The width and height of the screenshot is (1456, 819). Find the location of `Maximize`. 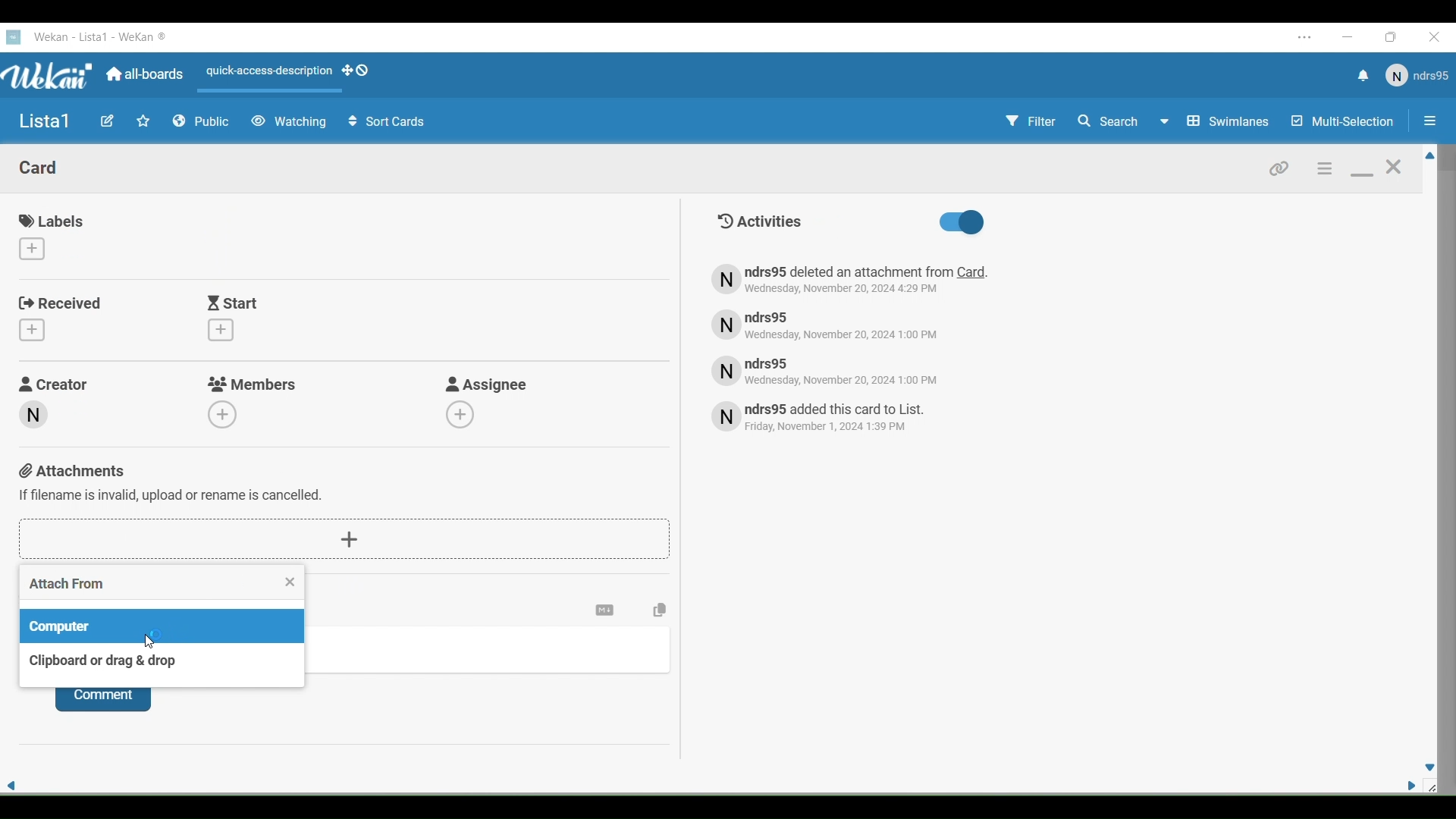

Maximize is located at coordinates (1395, 38).